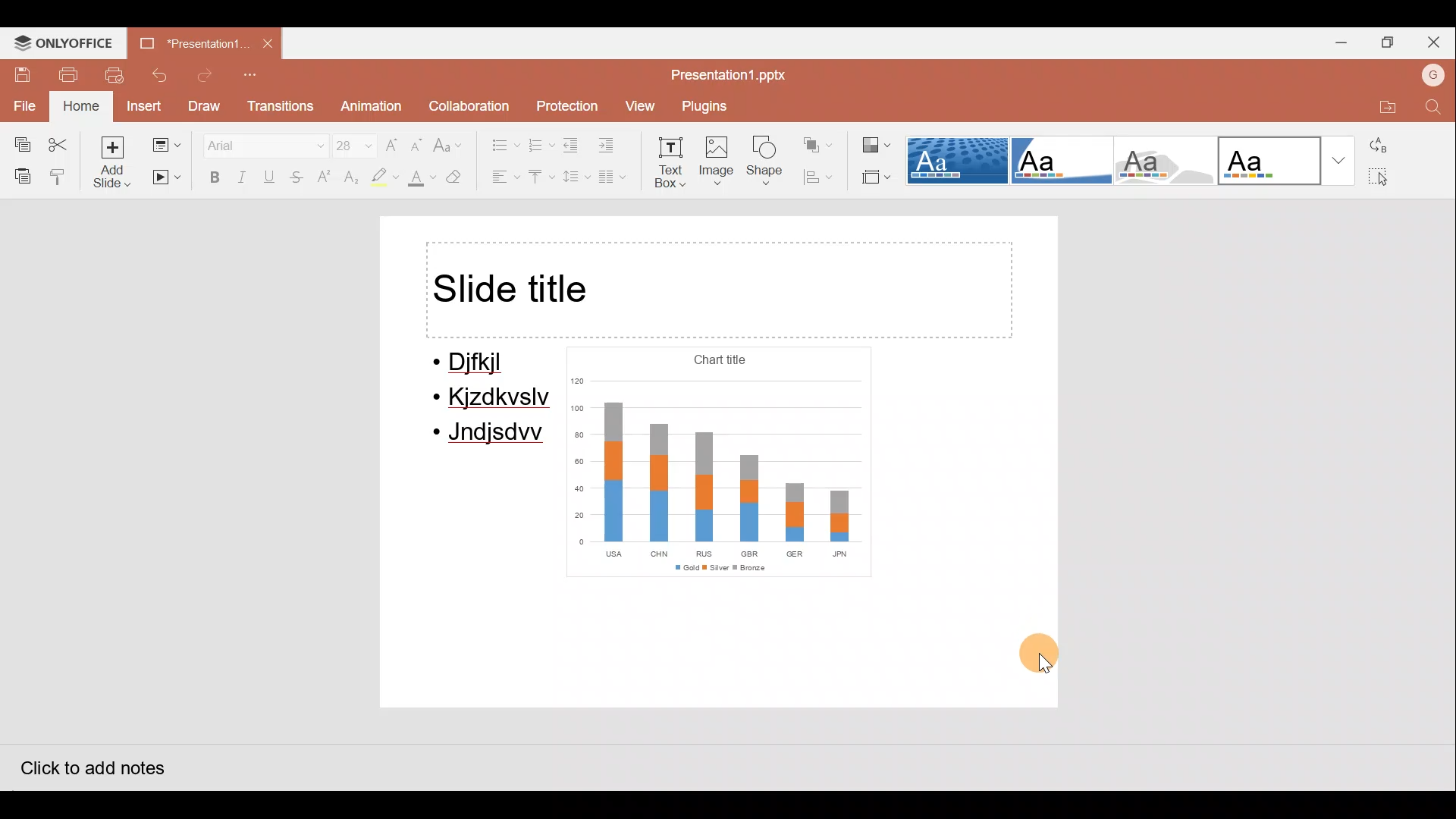 This screenshot has height=819, width=1456. Describe the element at coordinates (613, 175) in the screenshot. I see `Insert columns` at that location.